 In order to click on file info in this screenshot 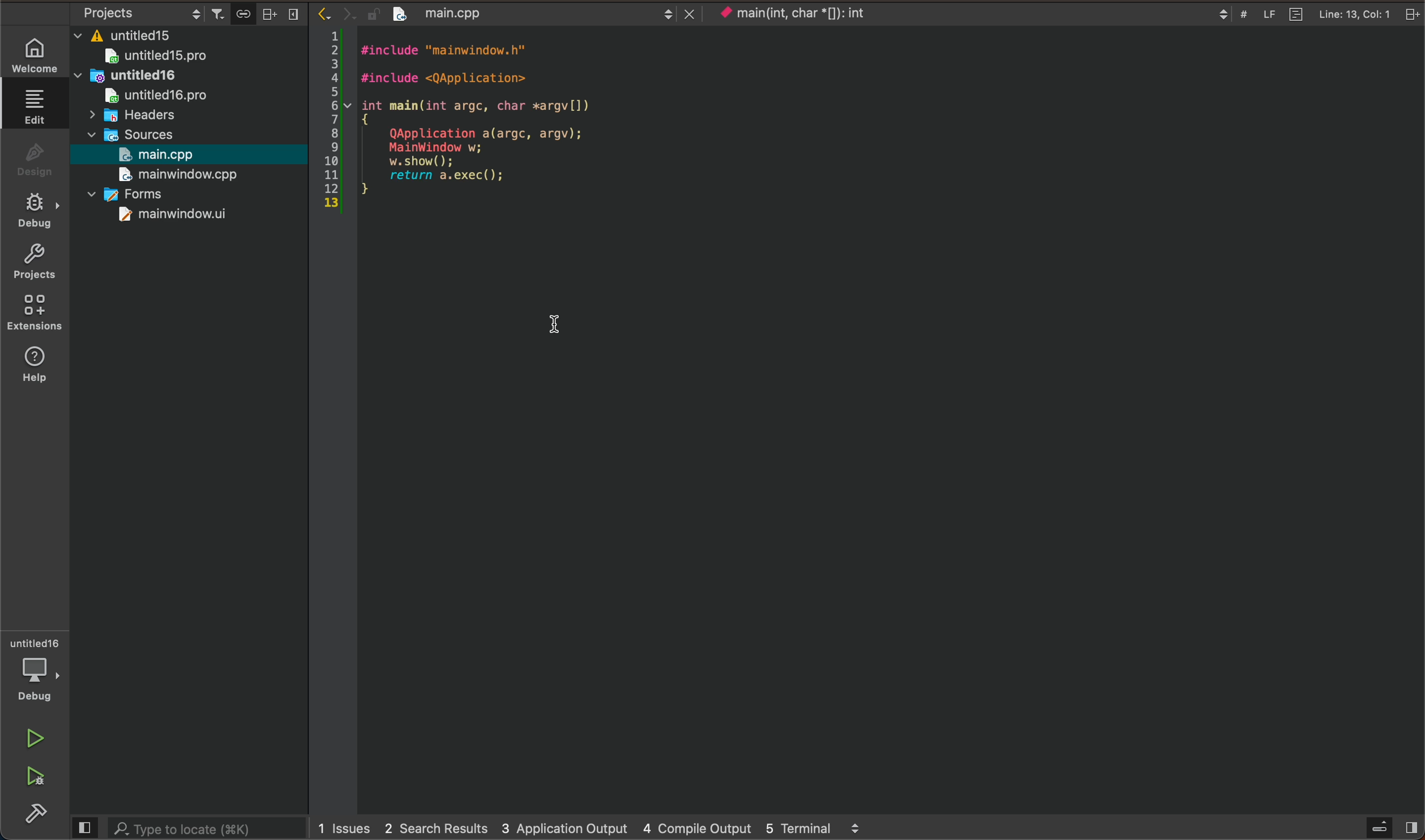, I will do `click(1313, 14)`.